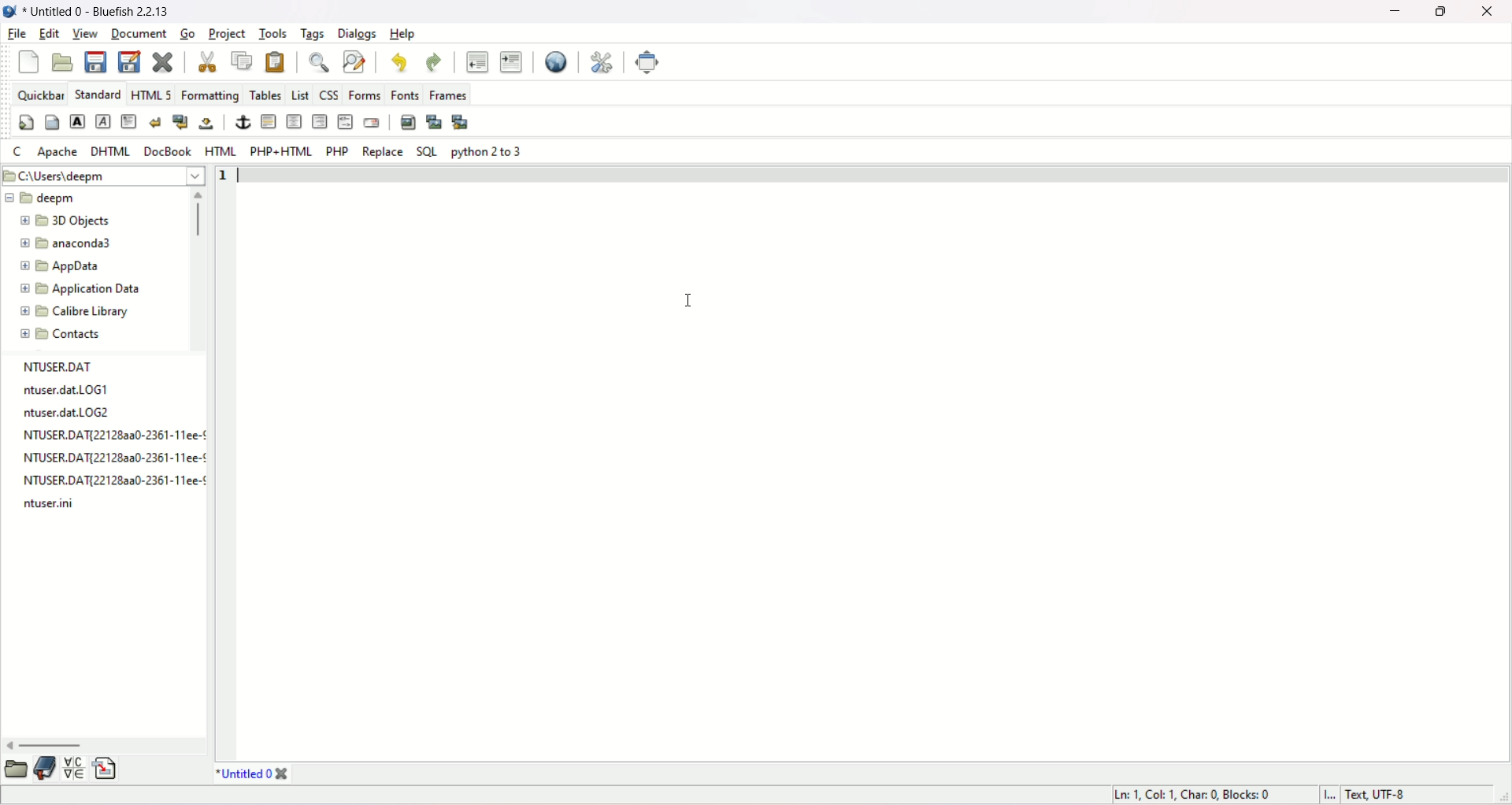 Image resolution: width=1512 pixels, height=805 pixels. What do you see at coordinates (17, 152) in the screenshot?
I see `c` at bounding box center [17, 152].